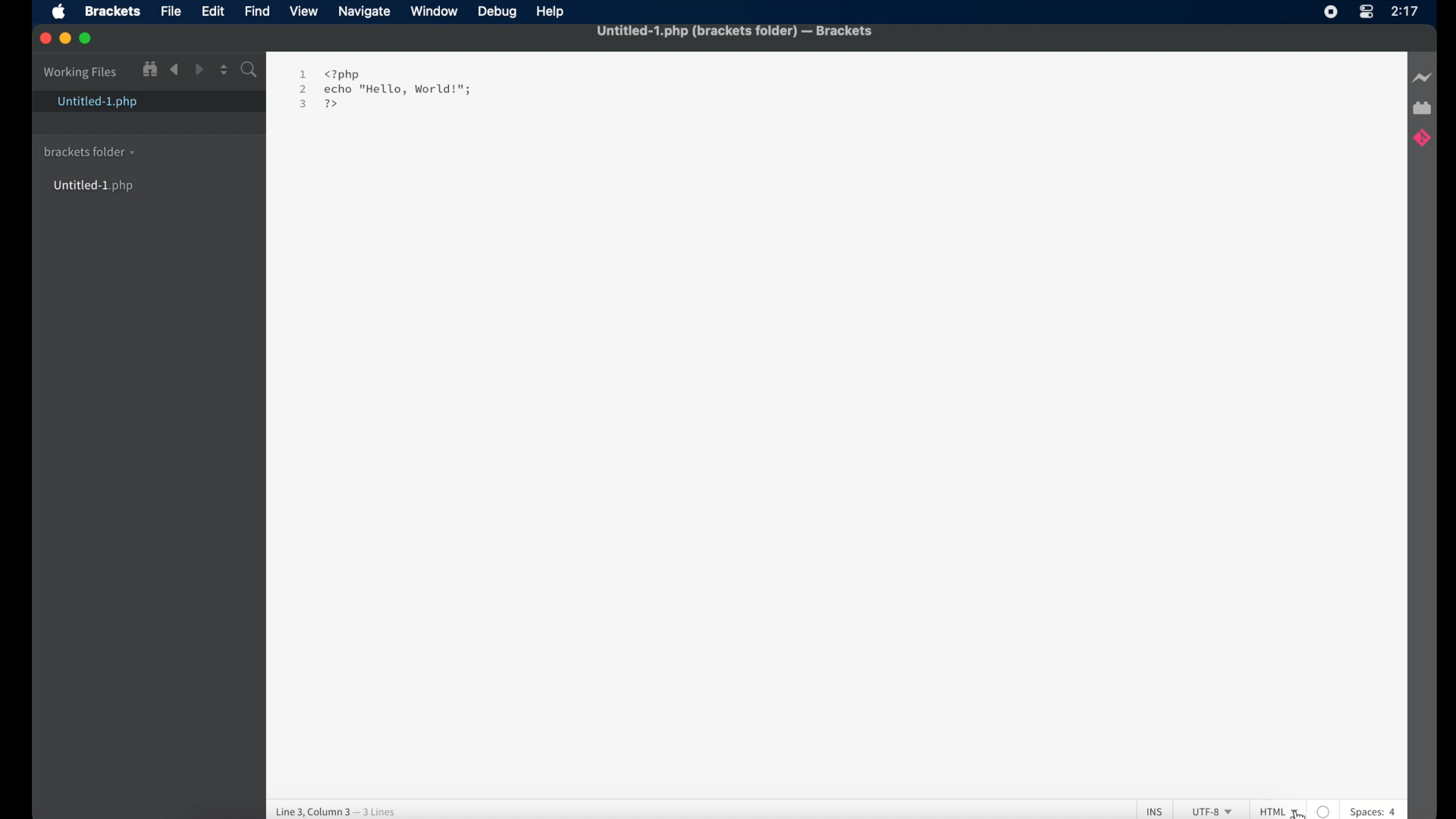 This screenshot has width=1456, height=819. I want to click on brackets, so click(113, 13).